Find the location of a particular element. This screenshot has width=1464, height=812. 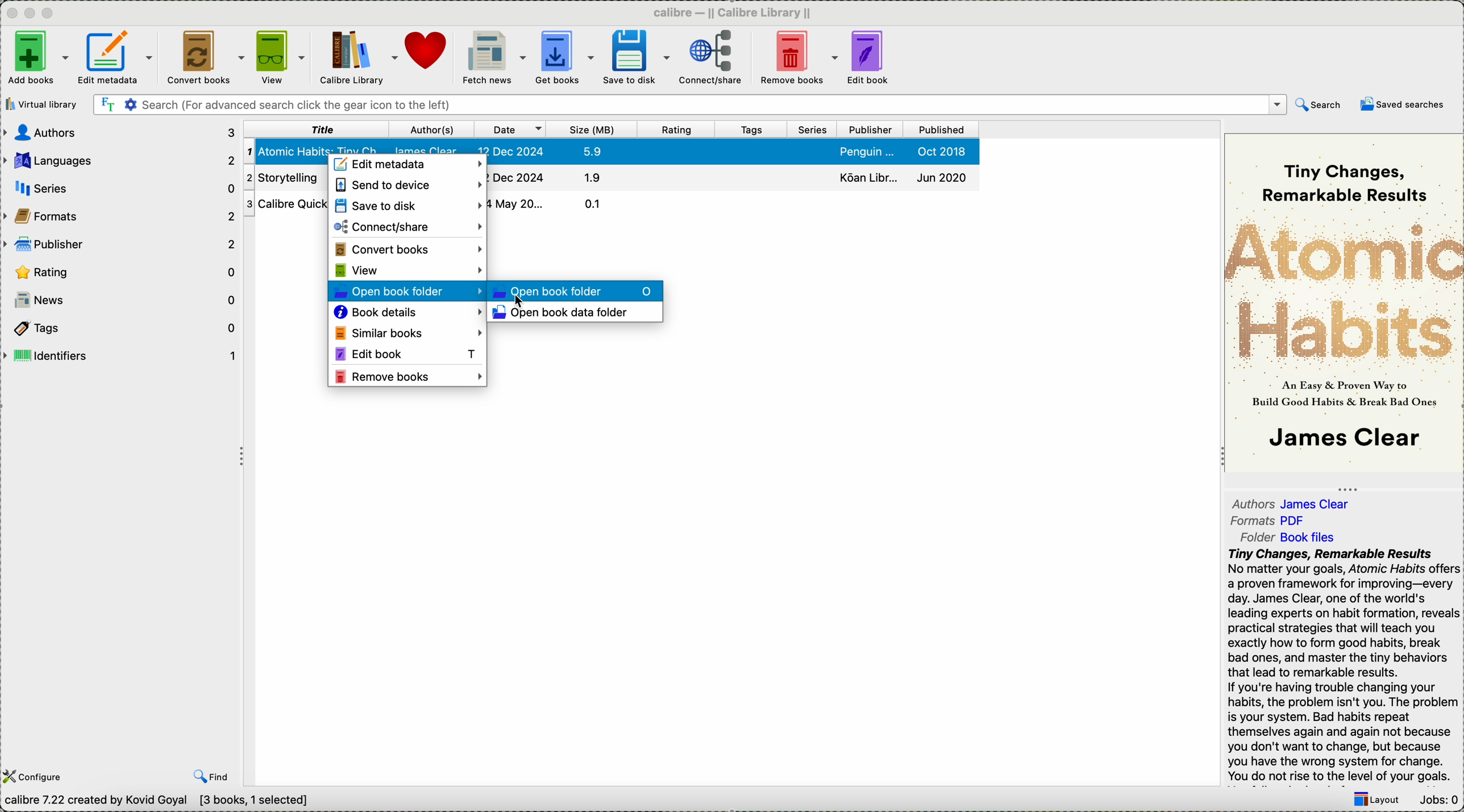

details is located at coordinates (733, 152).